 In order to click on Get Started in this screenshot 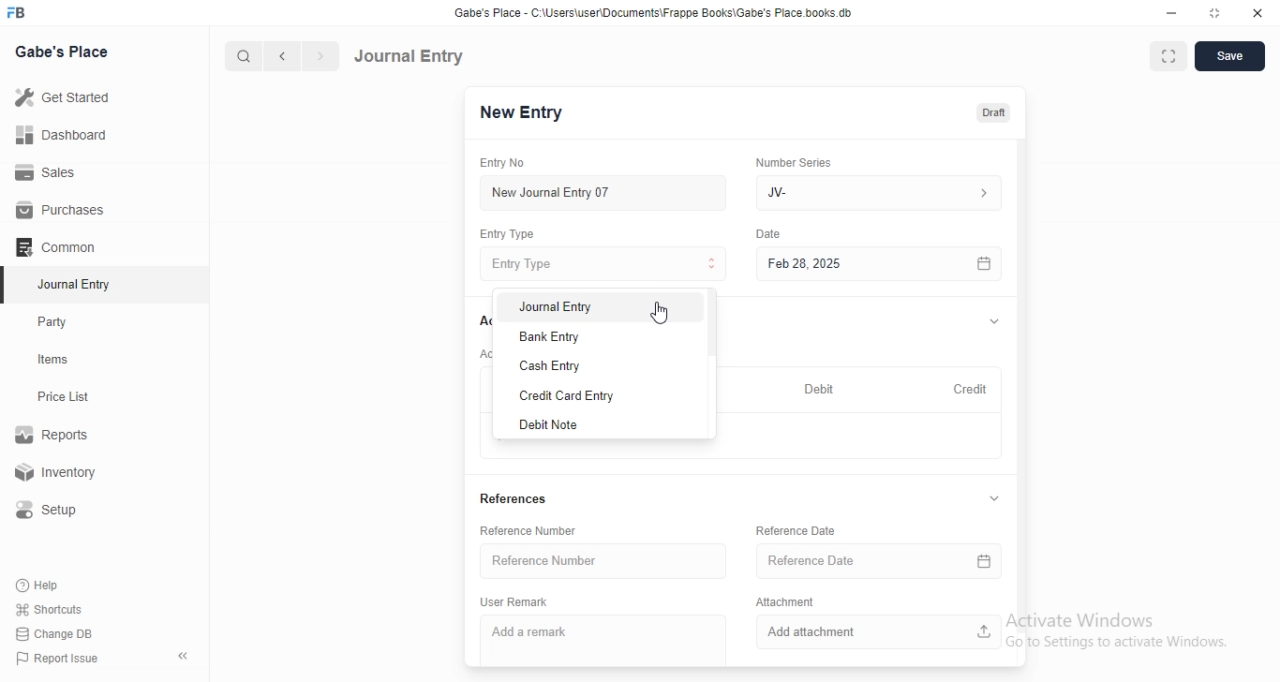, I will do `click(61, 99)`.